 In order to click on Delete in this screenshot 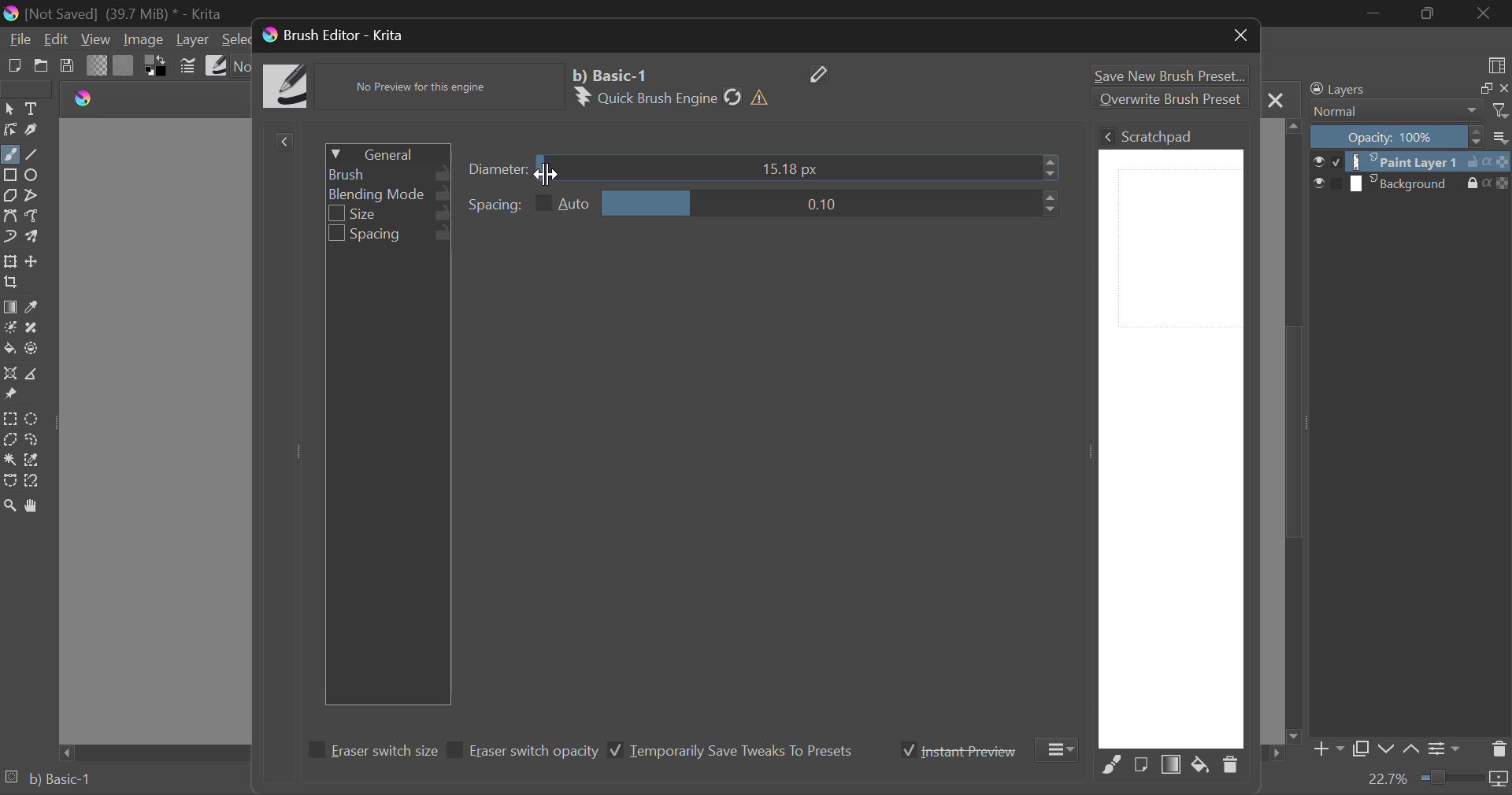, I will do `click(1230, 768)`.